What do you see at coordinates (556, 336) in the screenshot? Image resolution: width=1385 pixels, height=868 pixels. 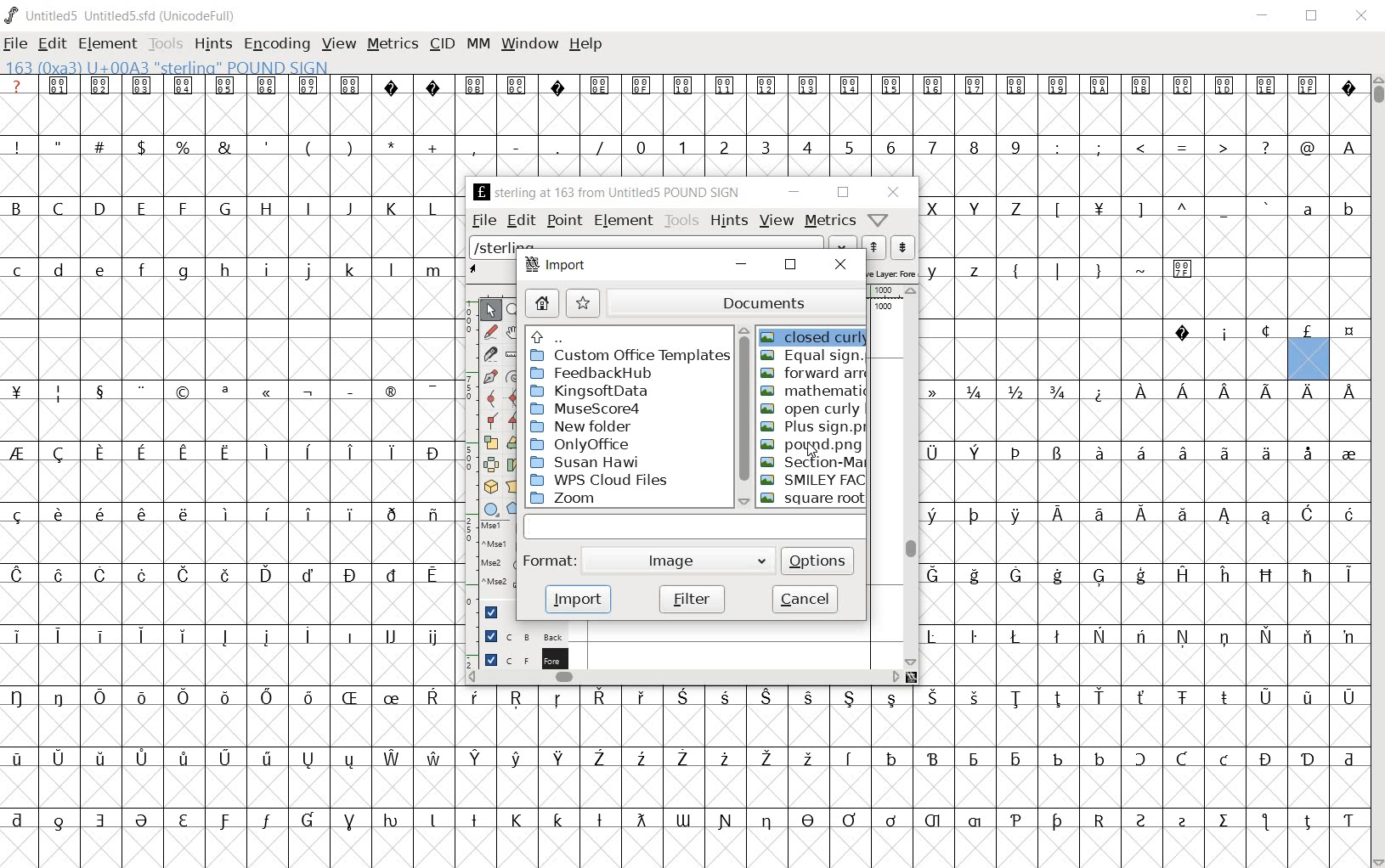 I see `` at bounding box center [556, 336].